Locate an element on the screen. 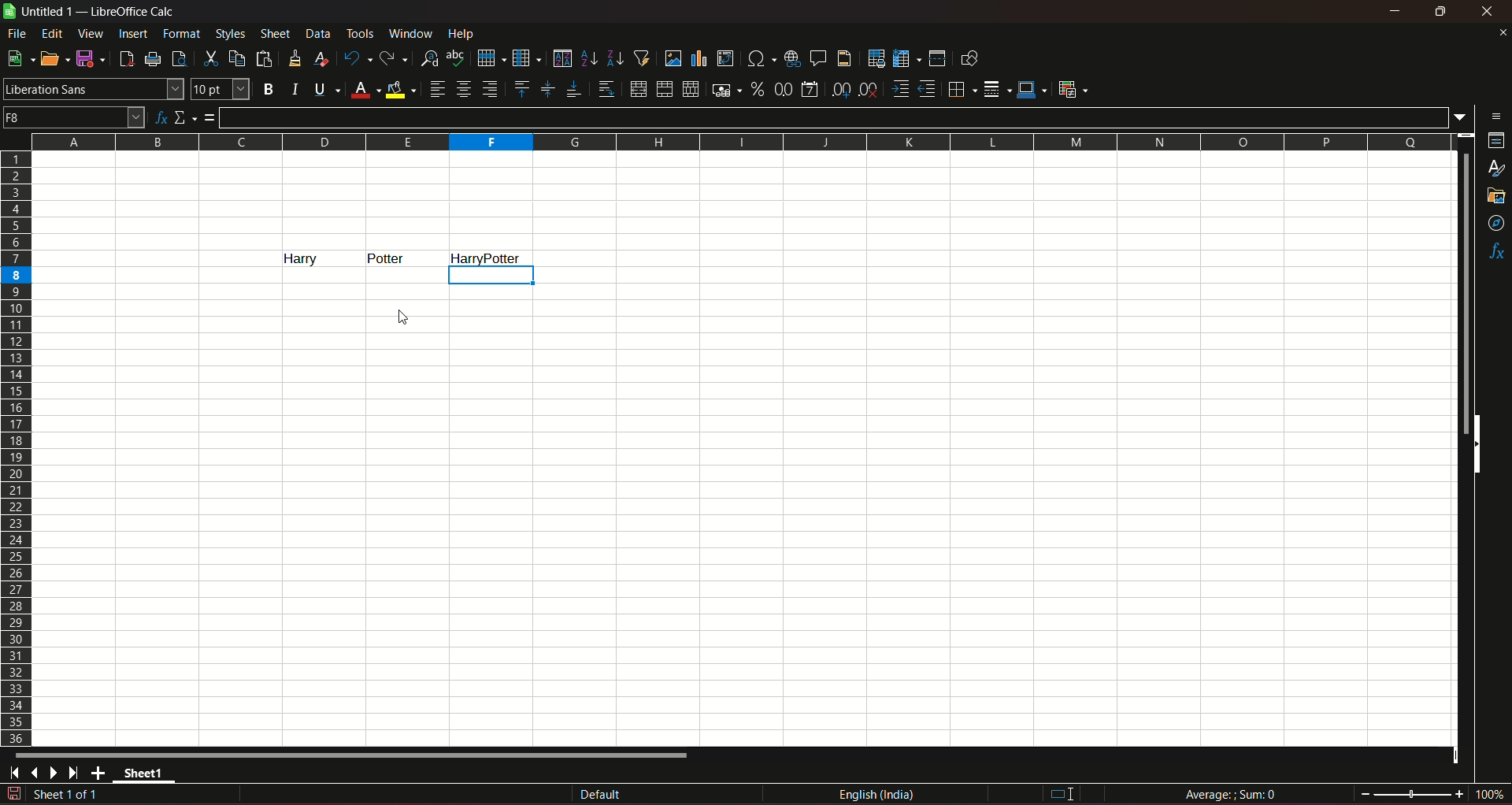 The image size is (1512, 805). selection is located at coordinates (493, 277).